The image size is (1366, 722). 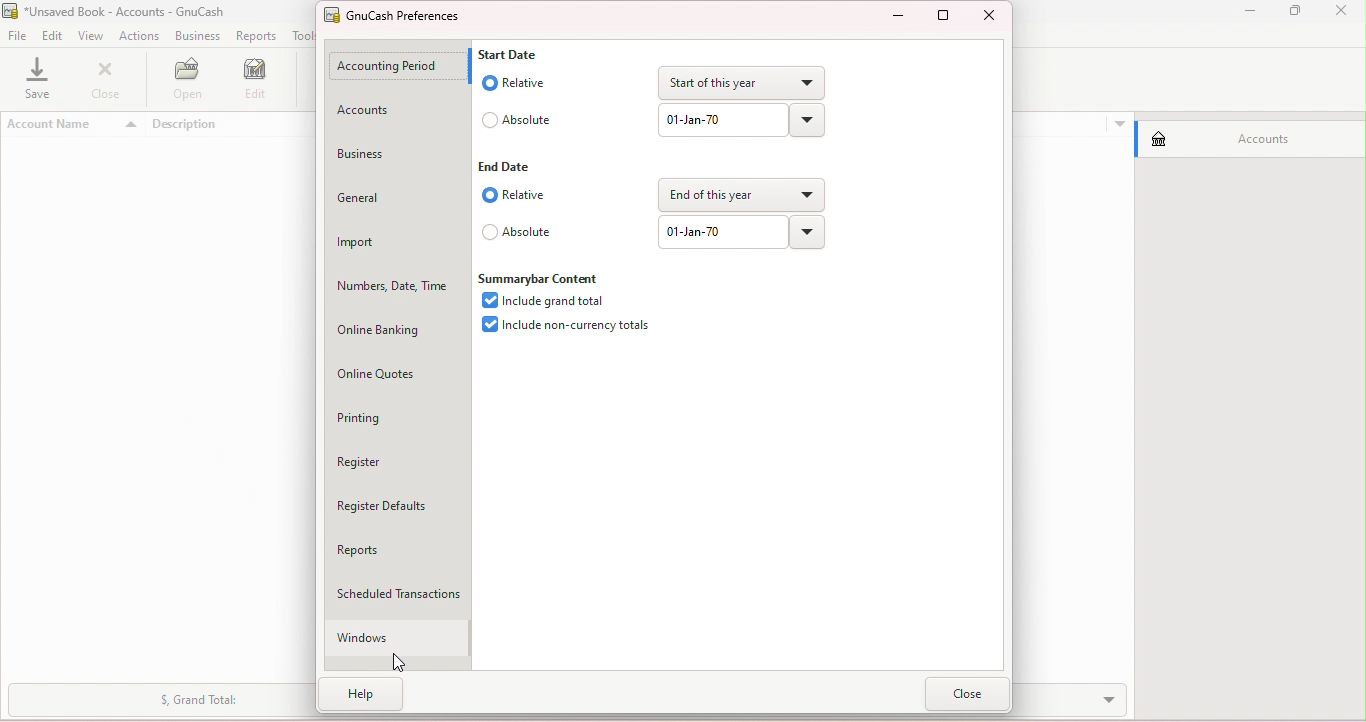 I want to click on Drop dow, so click(x=805, y=120).